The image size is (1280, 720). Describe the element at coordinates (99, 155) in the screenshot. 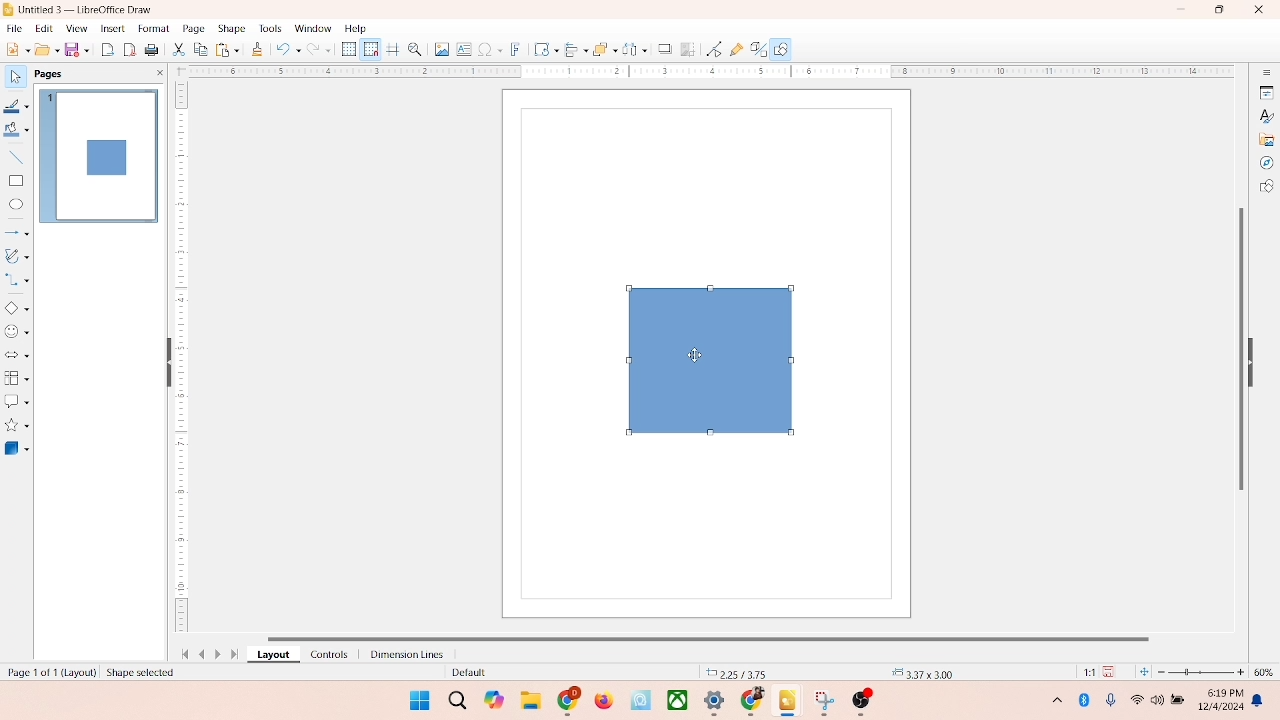

I see `page 1` at that location.